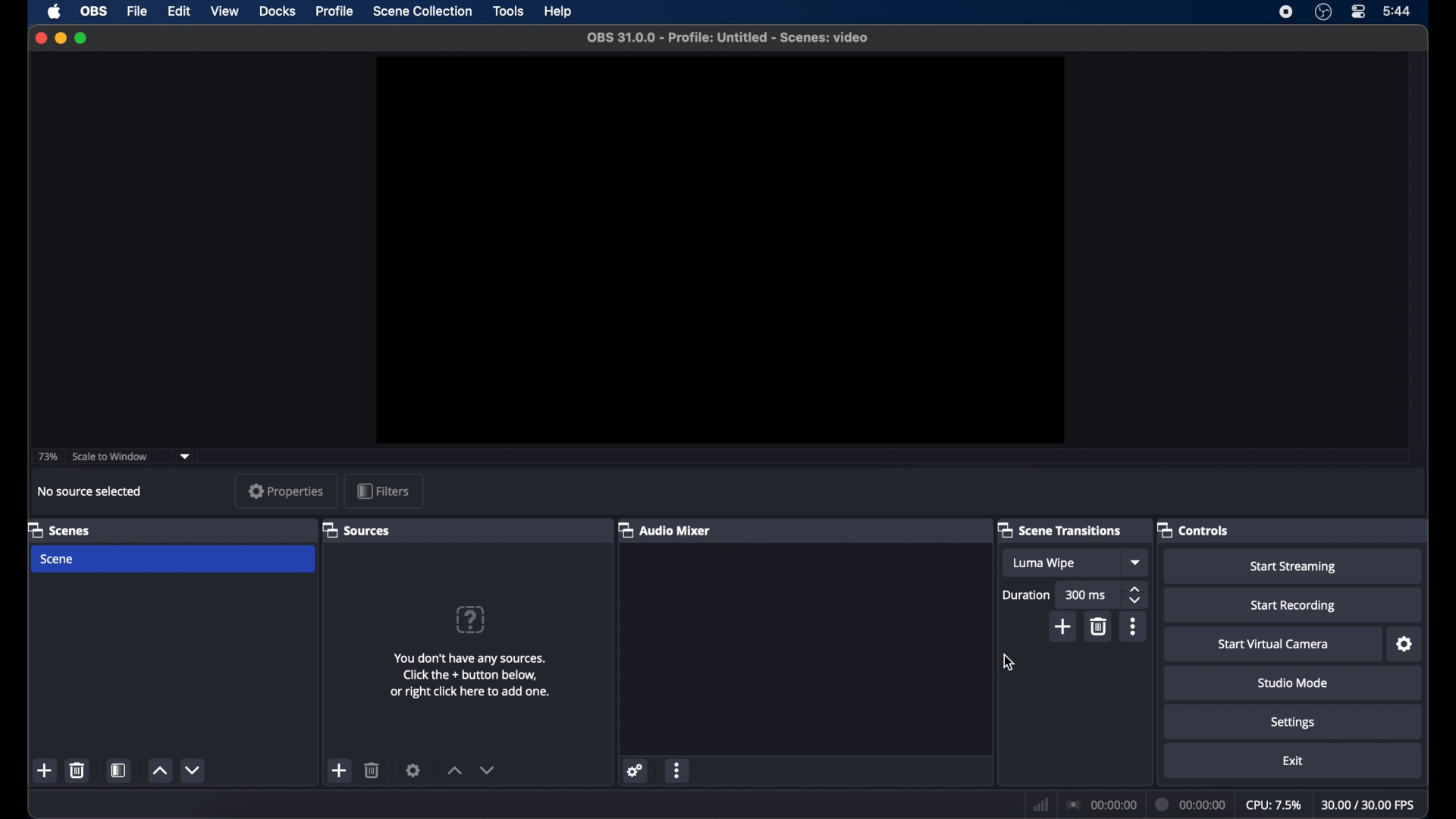 Image resolution: width=1456 pixels, height=819 pixels. I want to click on help, so click(559, 10).